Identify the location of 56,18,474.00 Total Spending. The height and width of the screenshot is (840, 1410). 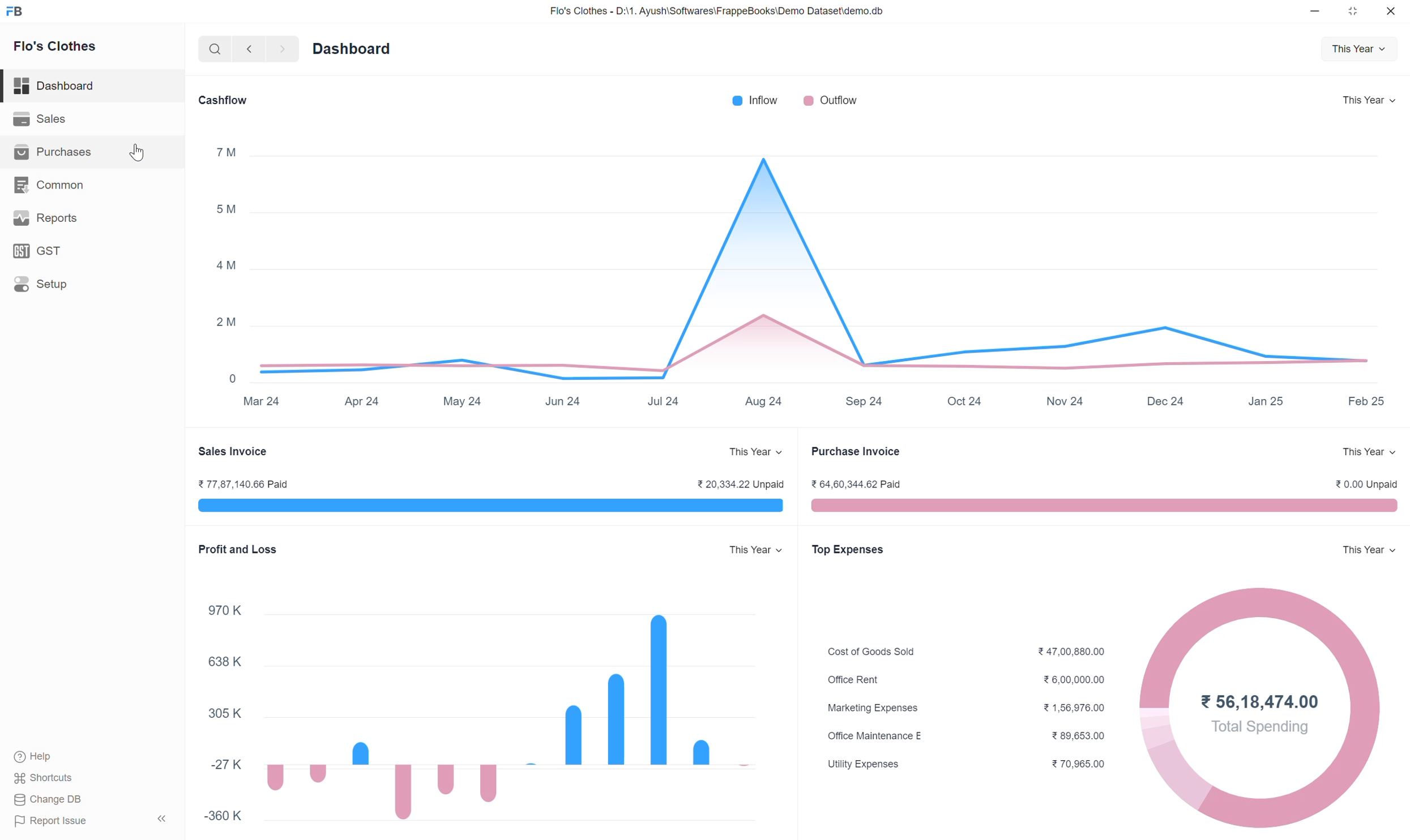
(1258, 714).